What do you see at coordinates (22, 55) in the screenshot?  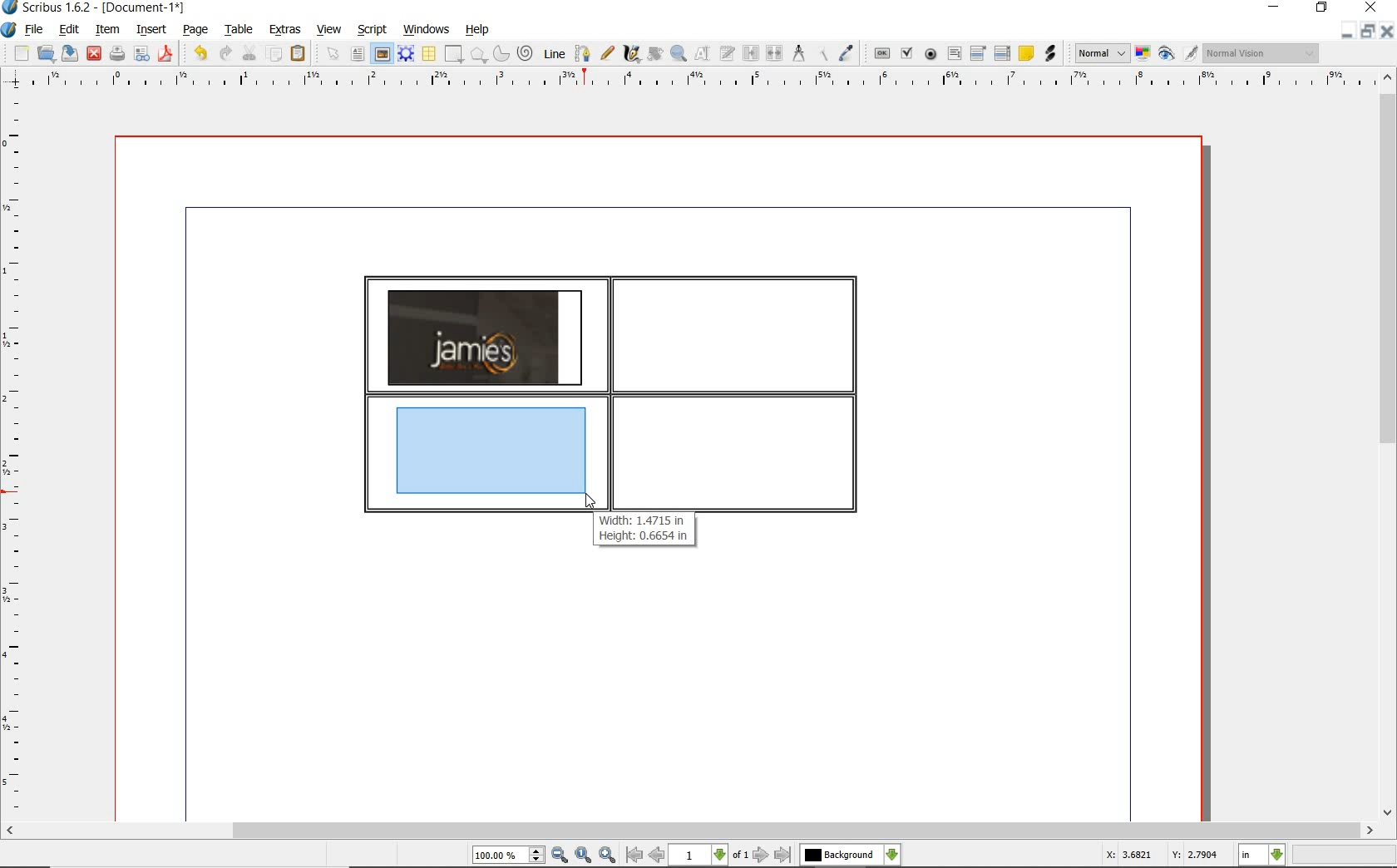 I see `new` at bounding box center [22, 55].